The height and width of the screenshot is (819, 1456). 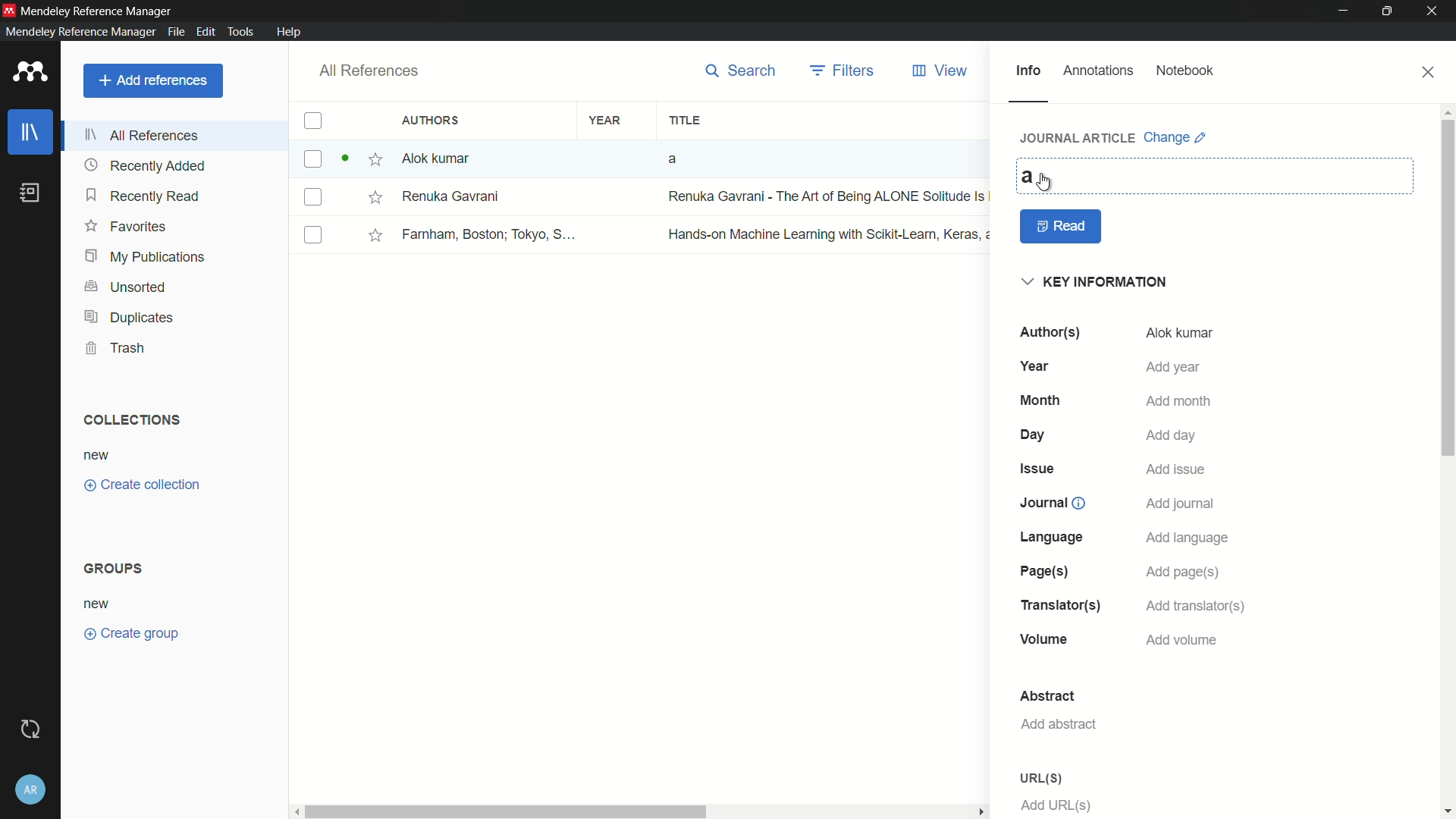 What do you see at coordinates (117, 347) in the screenshot?
I see `trash` at bounding box center [117, 347].